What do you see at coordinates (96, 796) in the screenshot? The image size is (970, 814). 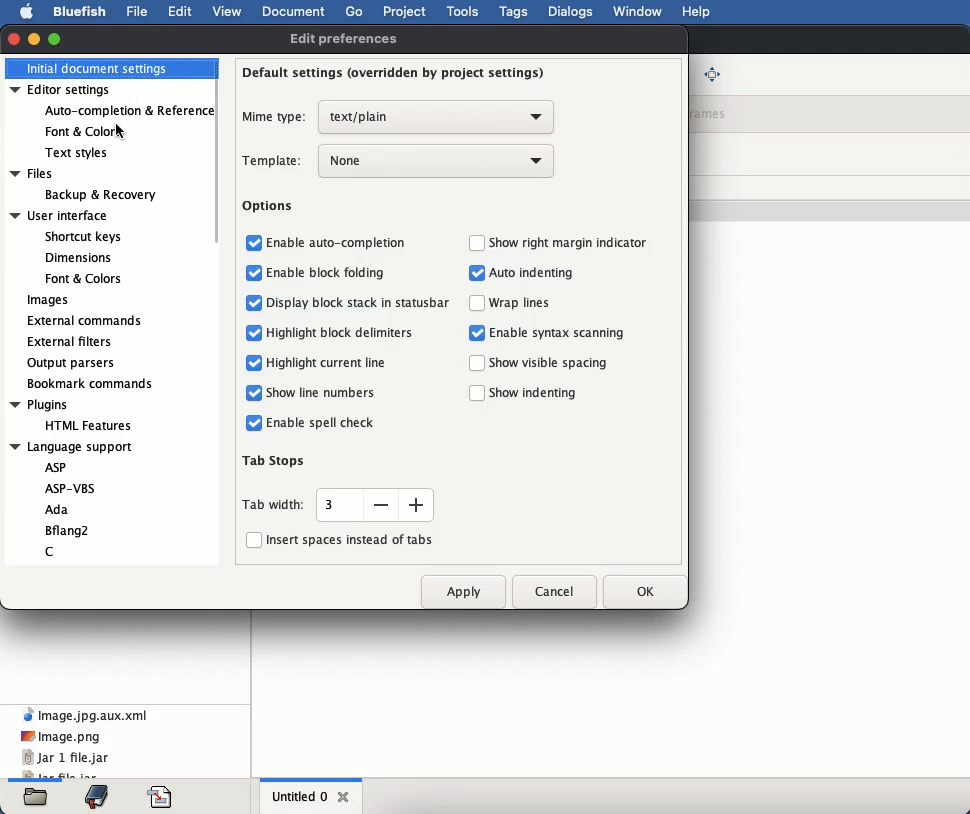 I see `bookmark` at bounding box center [96, 796].